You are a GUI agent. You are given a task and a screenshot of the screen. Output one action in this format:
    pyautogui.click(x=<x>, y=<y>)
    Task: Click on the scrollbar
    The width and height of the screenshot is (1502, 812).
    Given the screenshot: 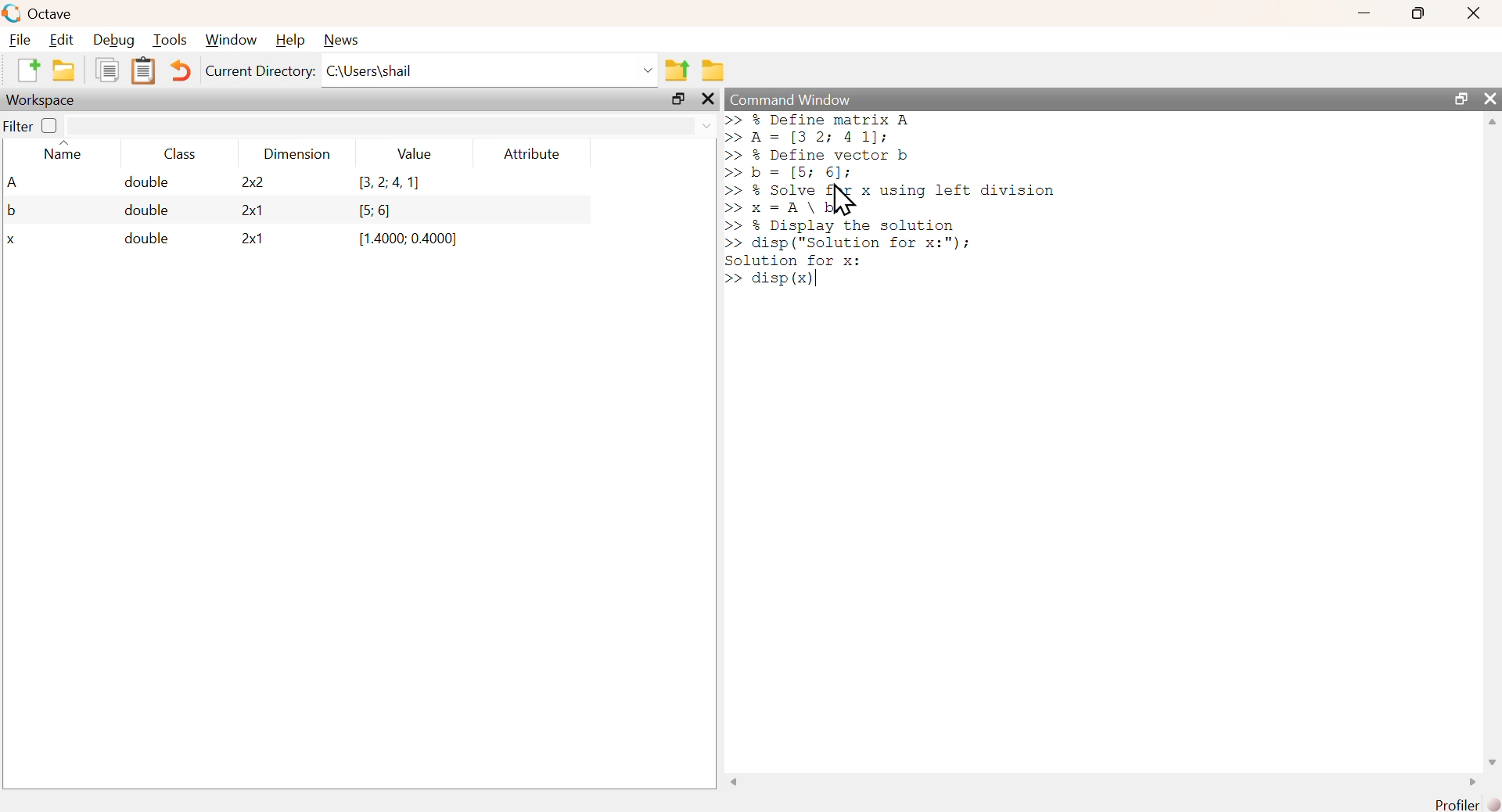 What is the action you would take?
    pyautogui.click(x=1493, y=441)
    